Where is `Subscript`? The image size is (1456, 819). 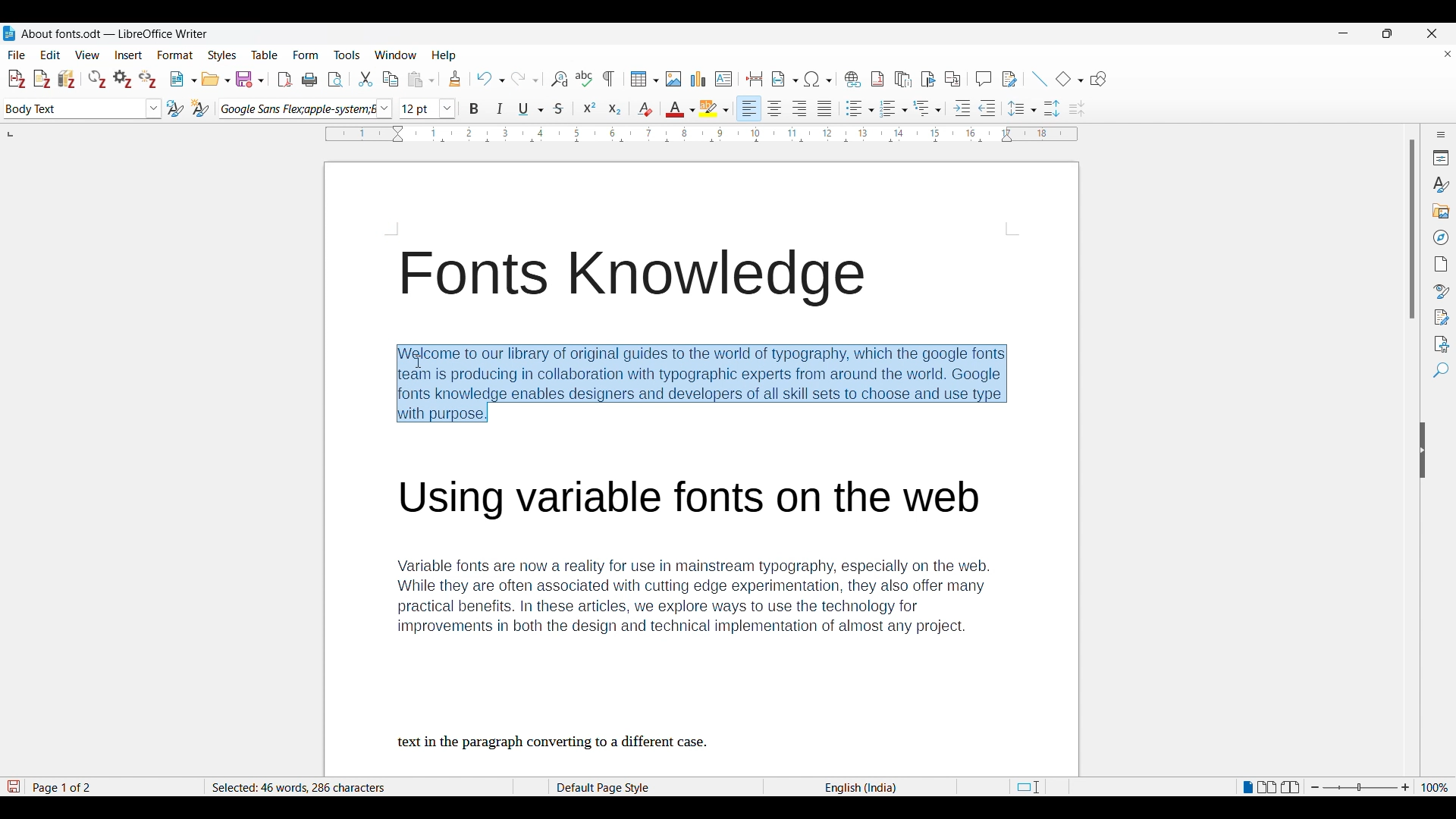
Subscript is located at coordinates (615, 108).